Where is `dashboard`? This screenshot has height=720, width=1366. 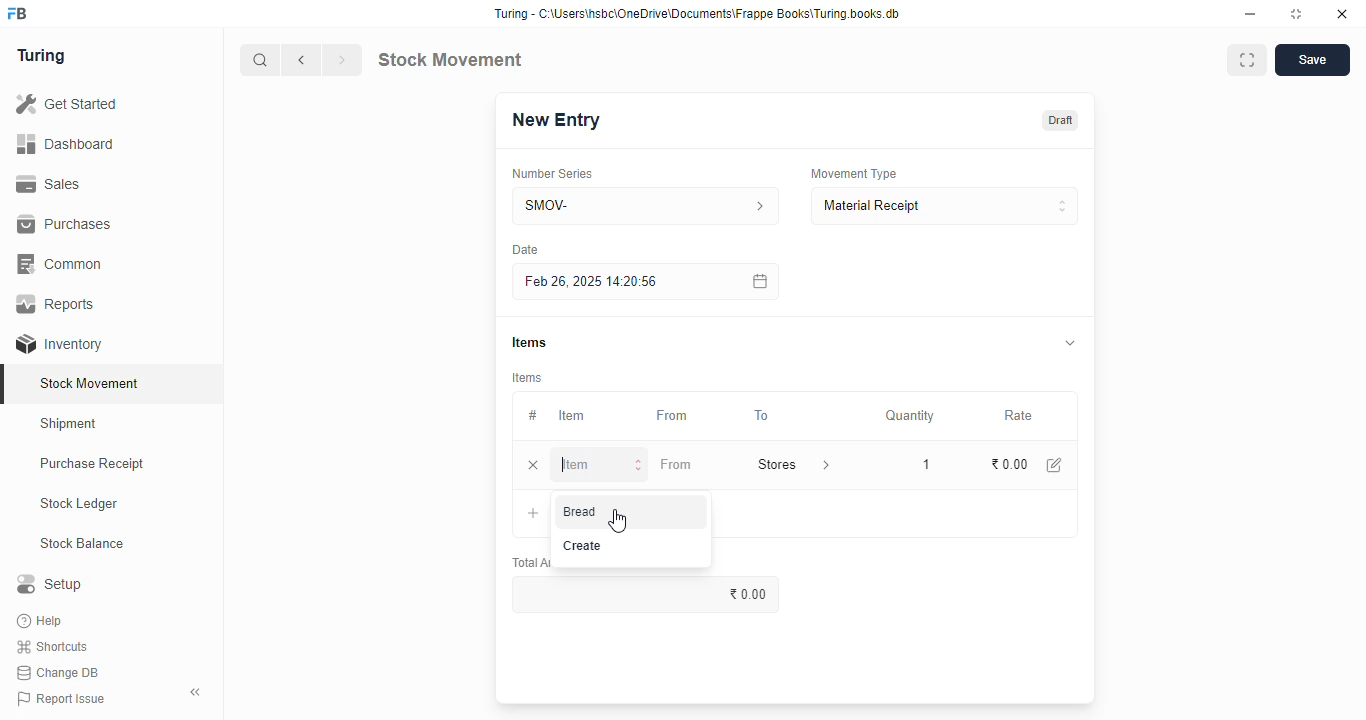
dashboard is located at coordinates (65, 145).